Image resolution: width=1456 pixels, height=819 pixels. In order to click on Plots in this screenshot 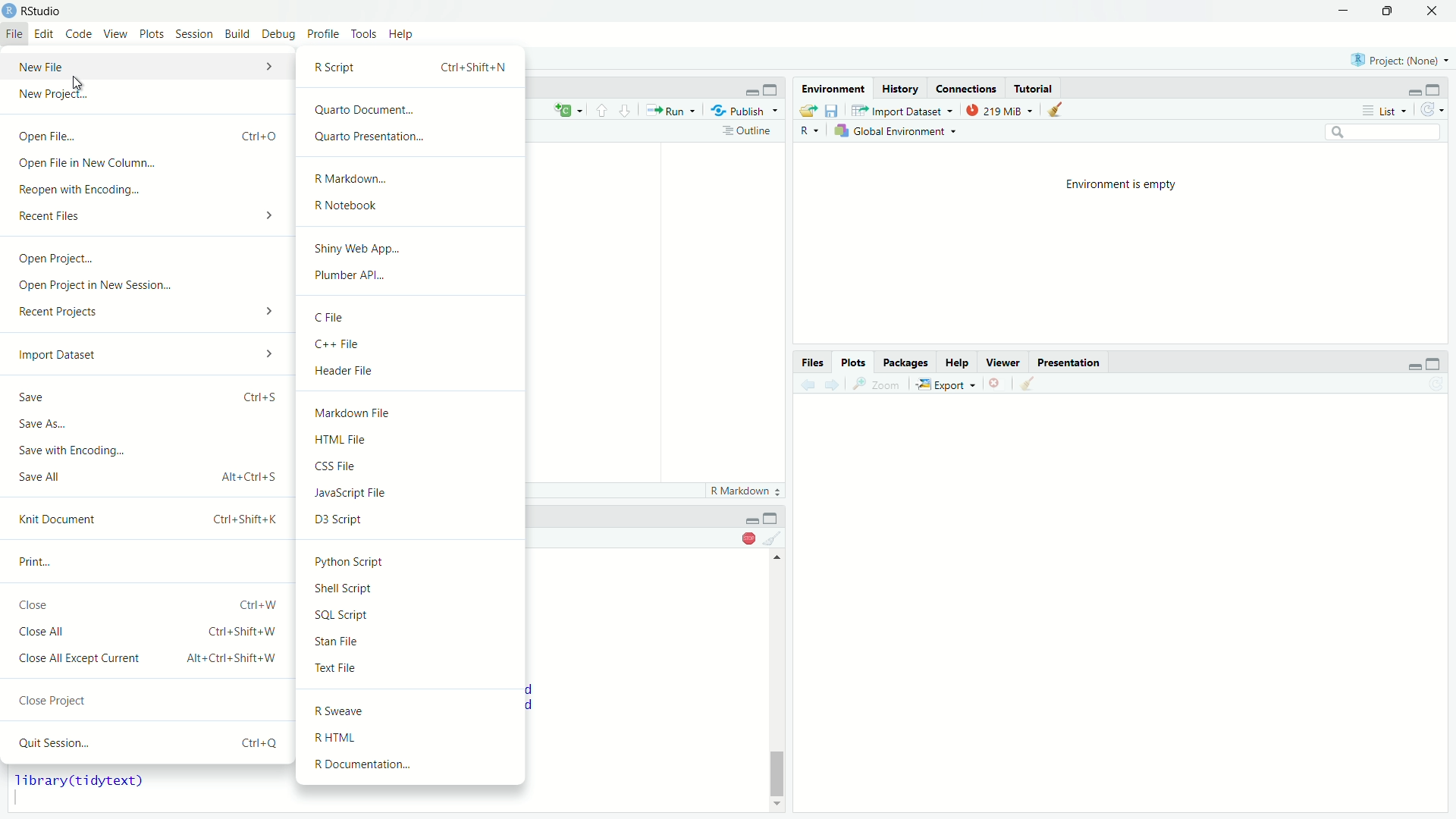, I will do `click(152, 34)`.